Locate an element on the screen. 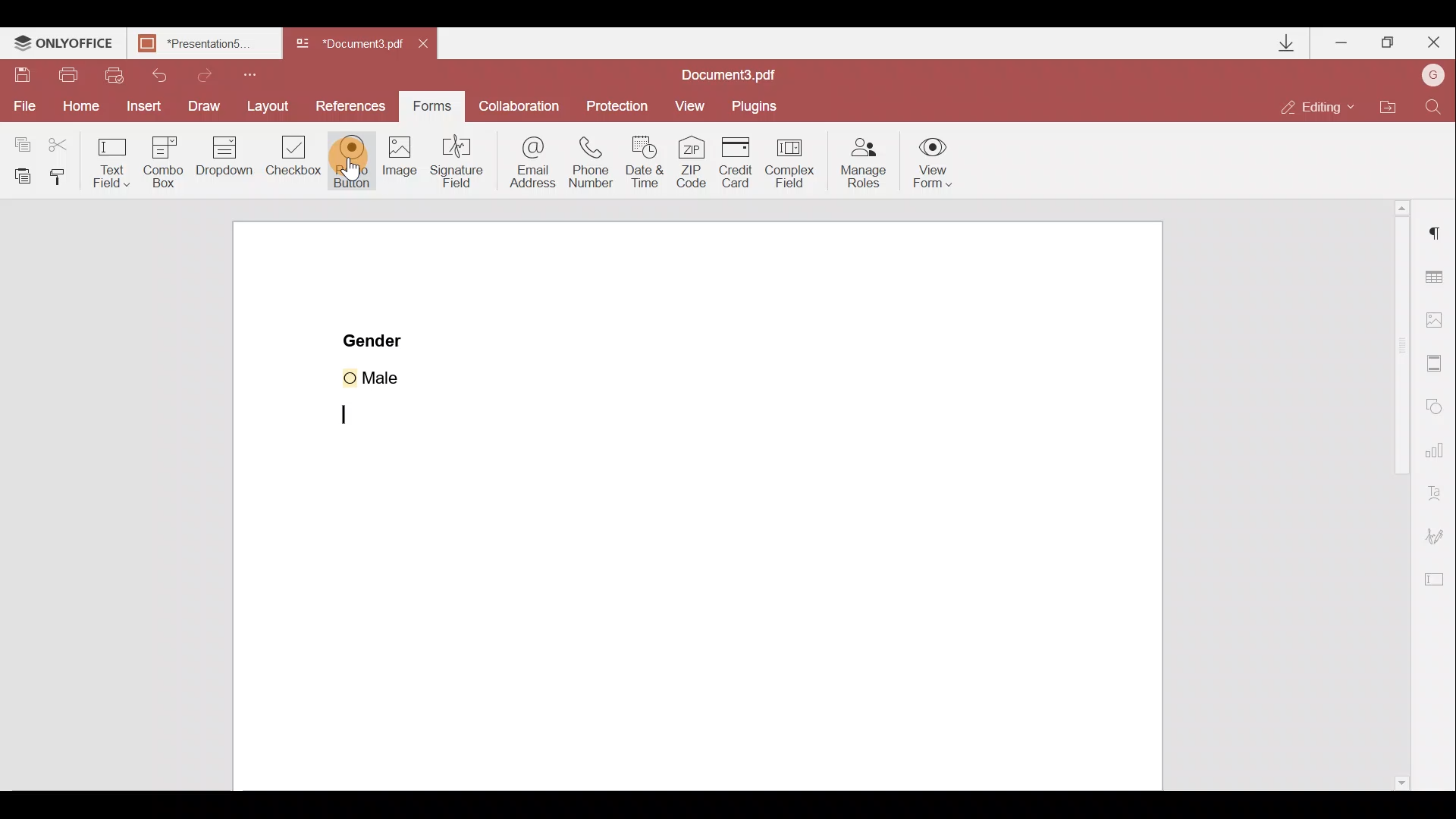 The image size is (1456, 819). File is located at coordinates (21, 107).